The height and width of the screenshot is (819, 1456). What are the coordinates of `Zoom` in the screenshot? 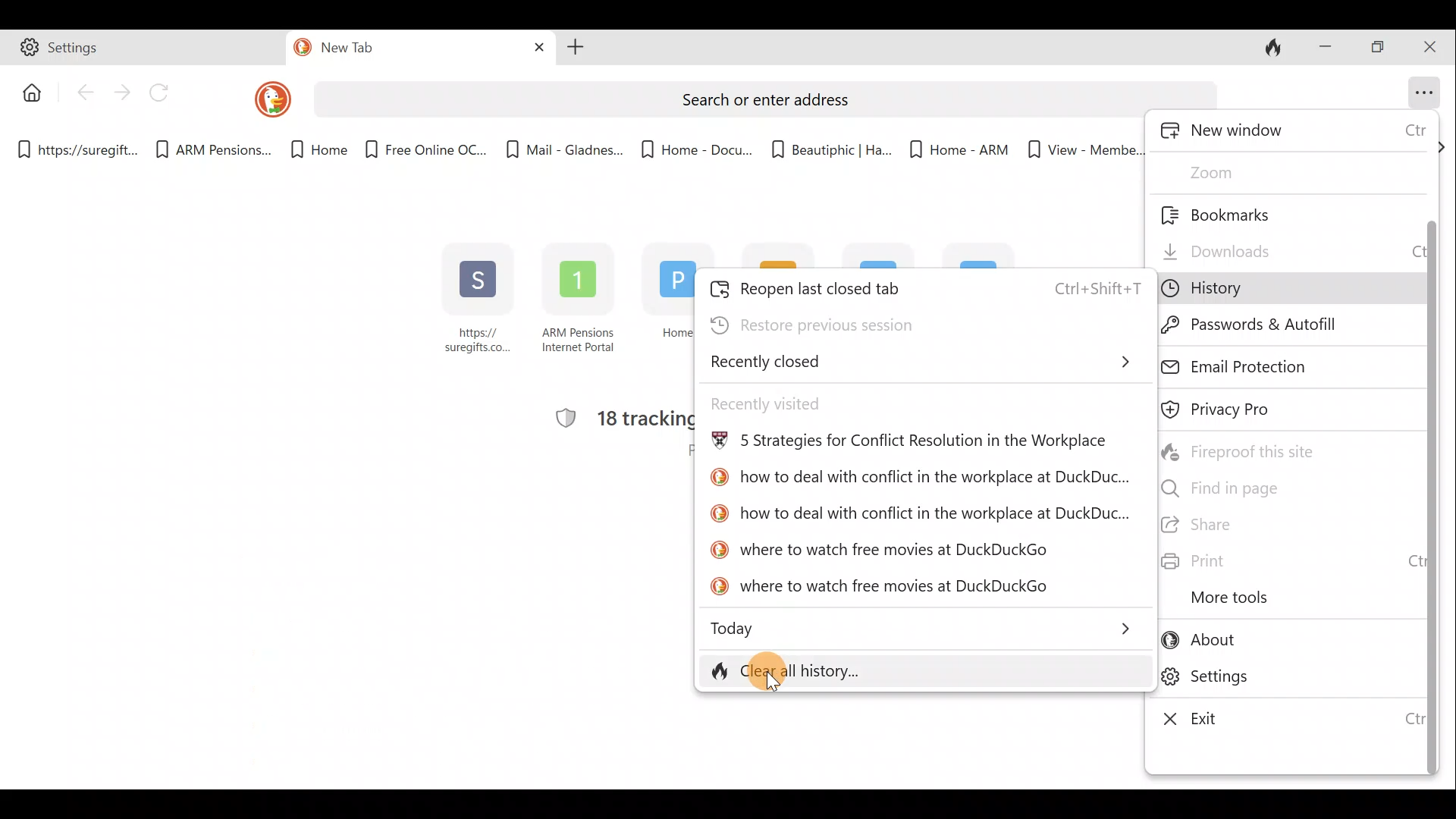 It's located at (1241, 171).